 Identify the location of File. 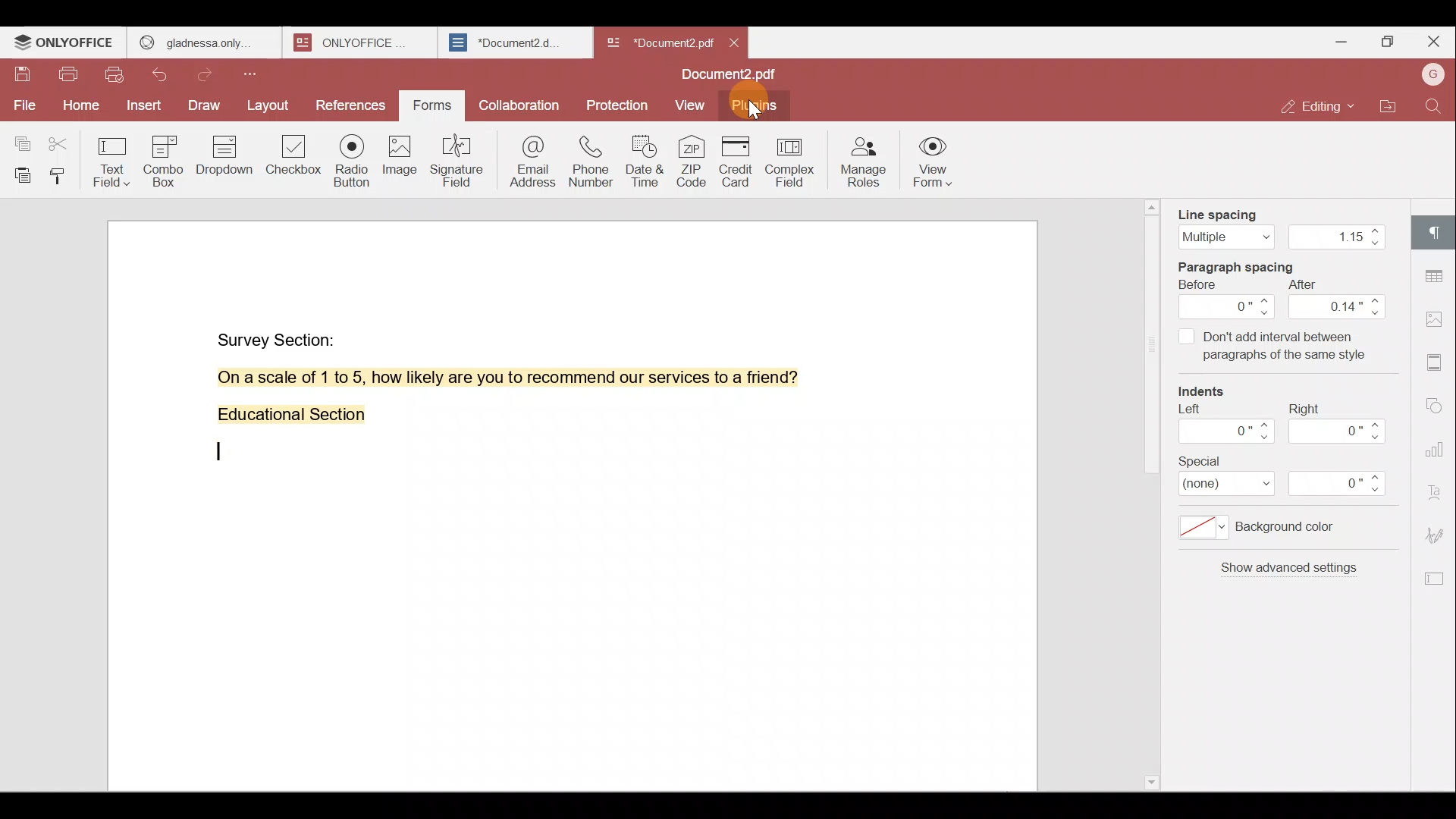
(23, 105).